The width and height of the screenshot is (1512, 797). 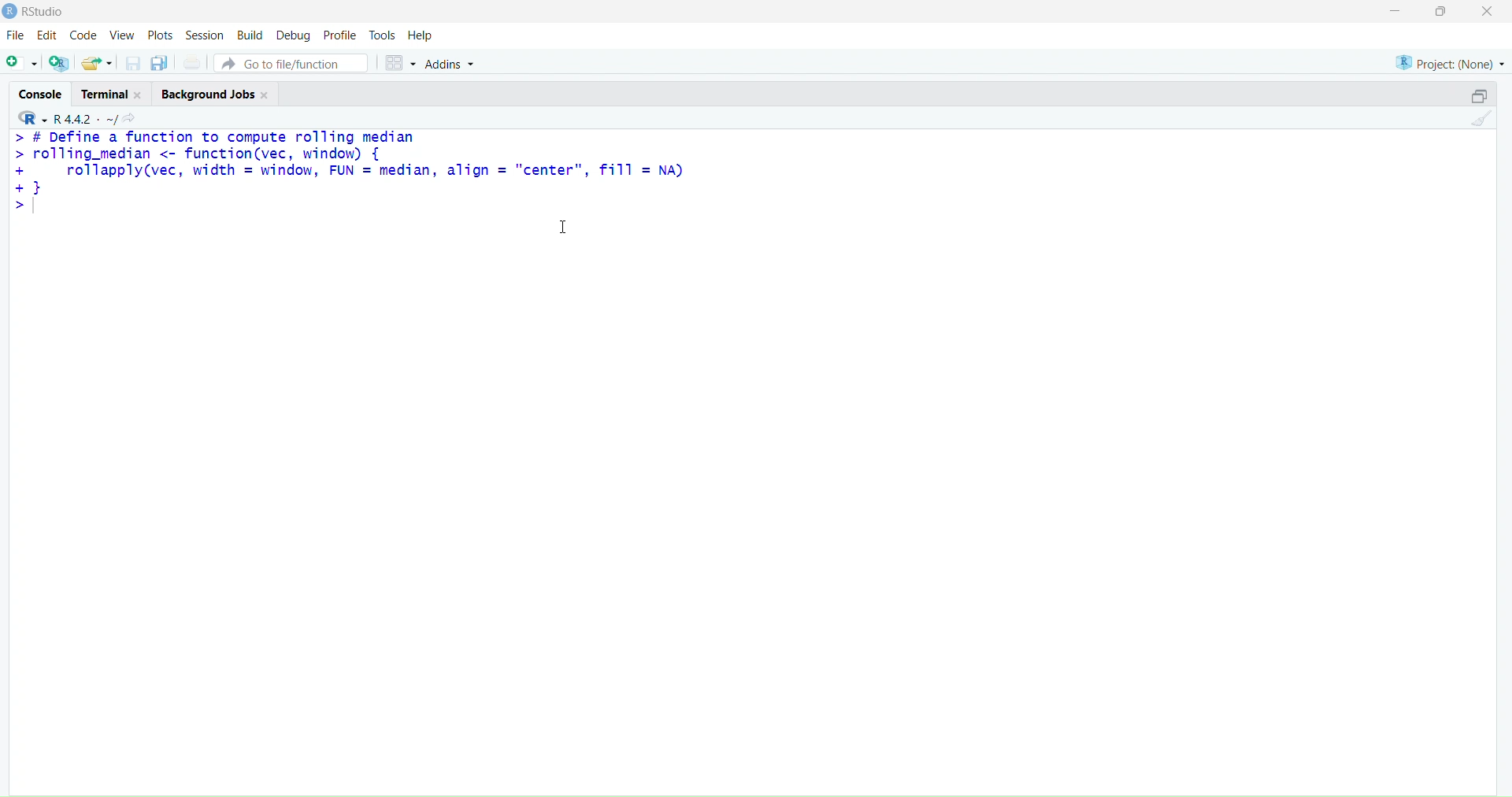 I want to click on share folder as, so click(x=97, y=63).